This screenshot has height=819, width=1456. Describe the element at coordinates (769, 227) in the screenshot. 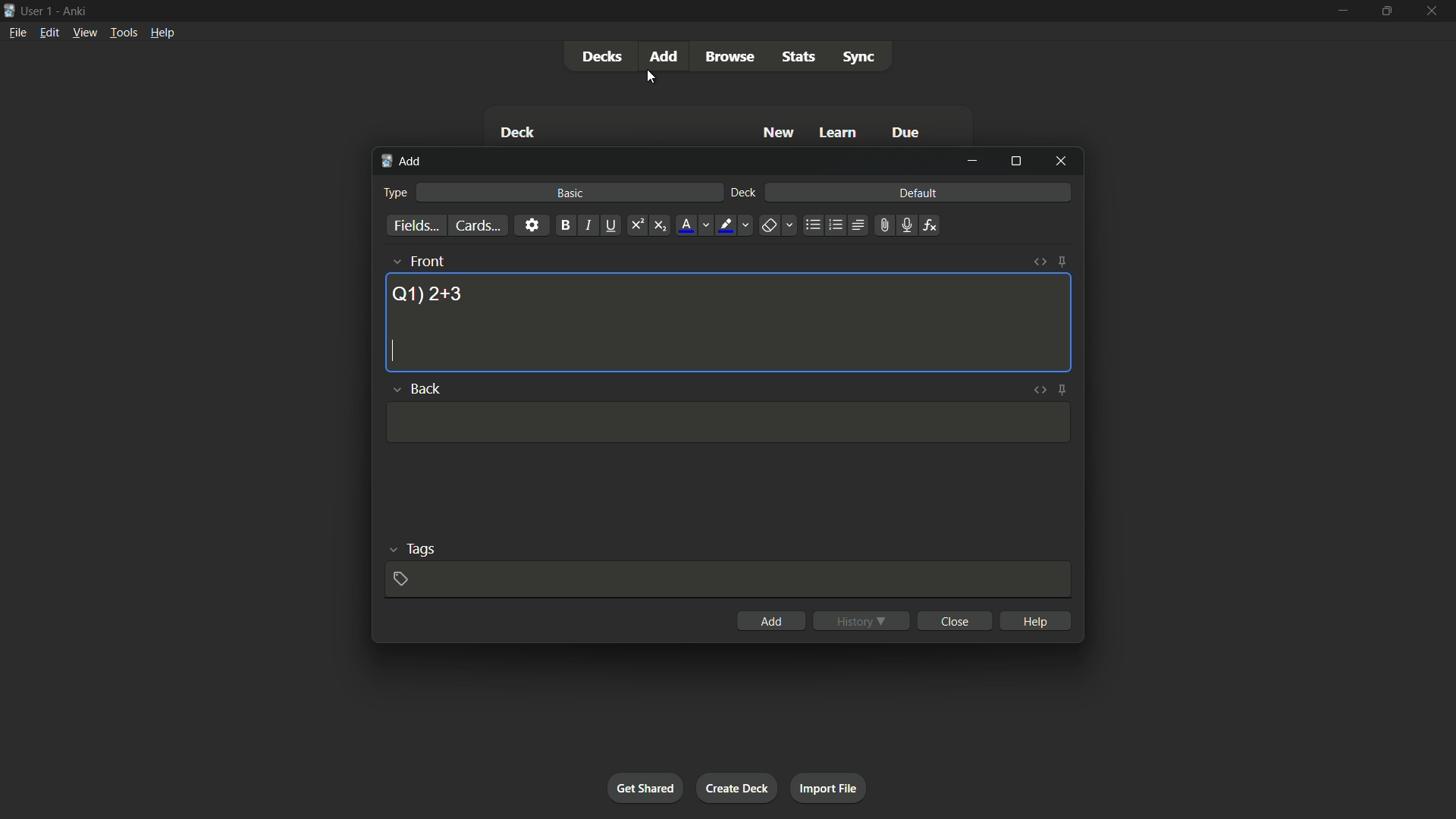

I see `remove formatting` at that location.